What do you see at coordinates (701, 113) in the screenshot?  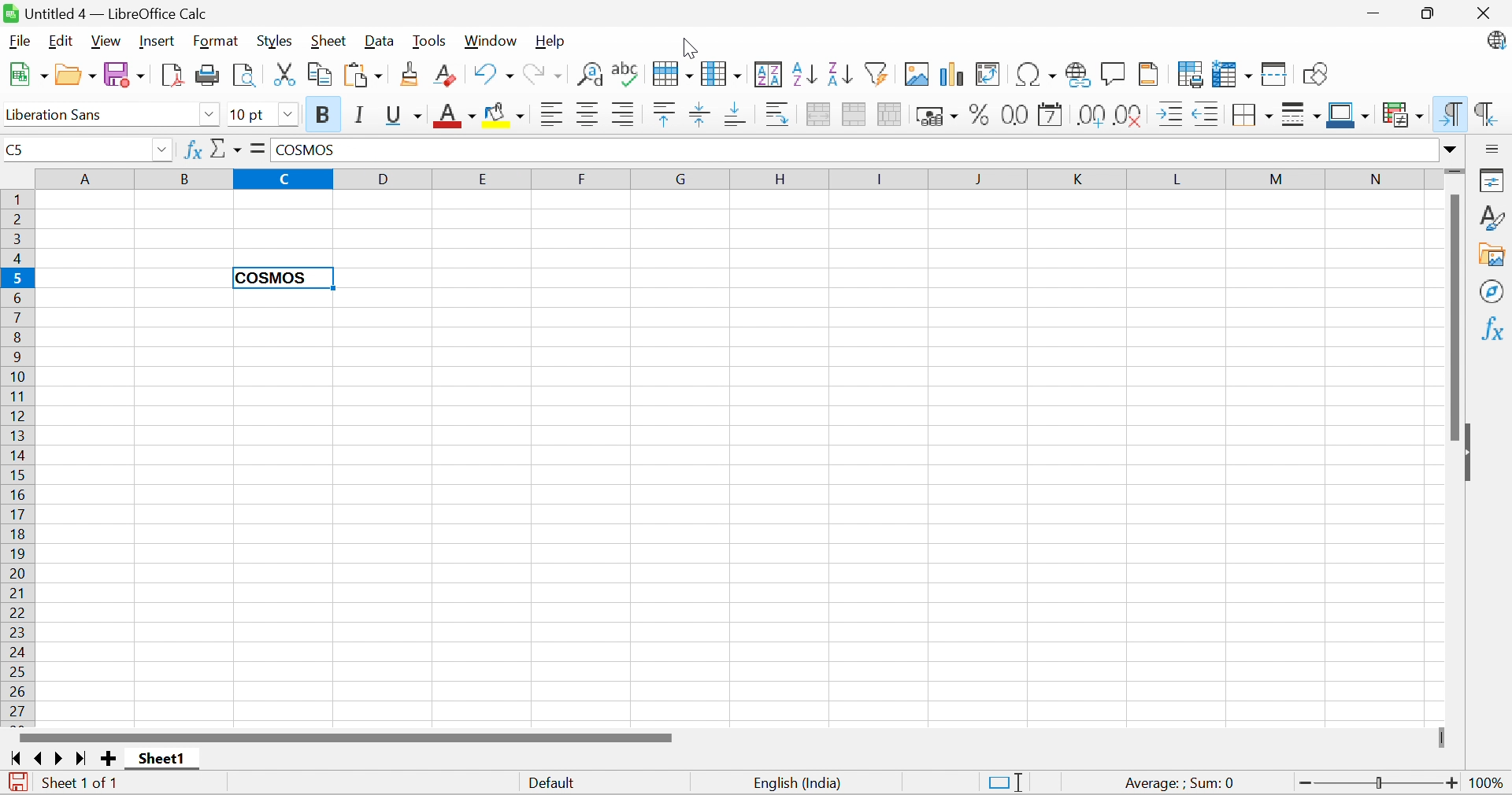 I see `Center Vertically` at bounding box center [701, 113].